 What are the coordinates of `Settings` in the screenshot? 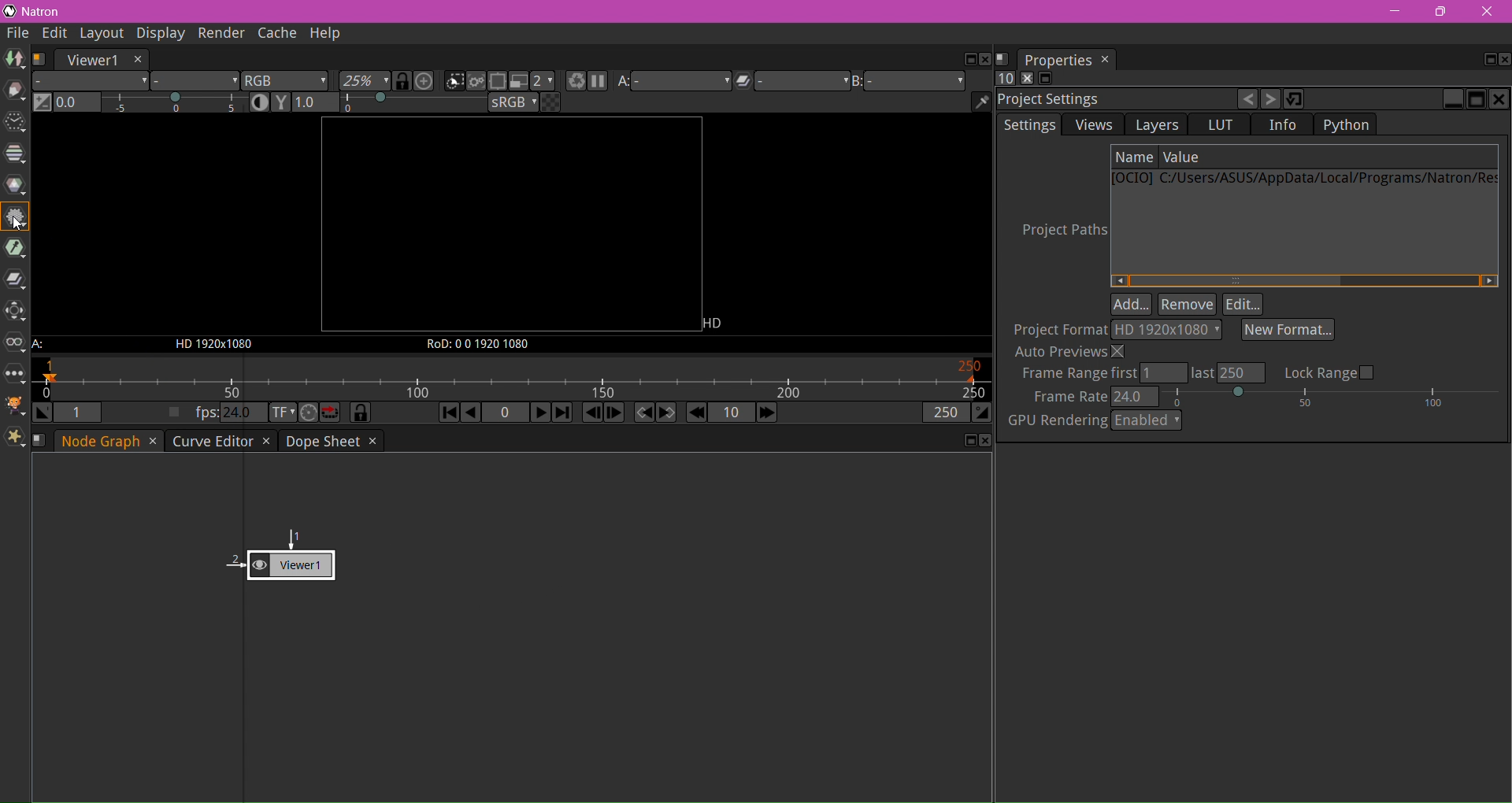 It's located at (1029, 125).